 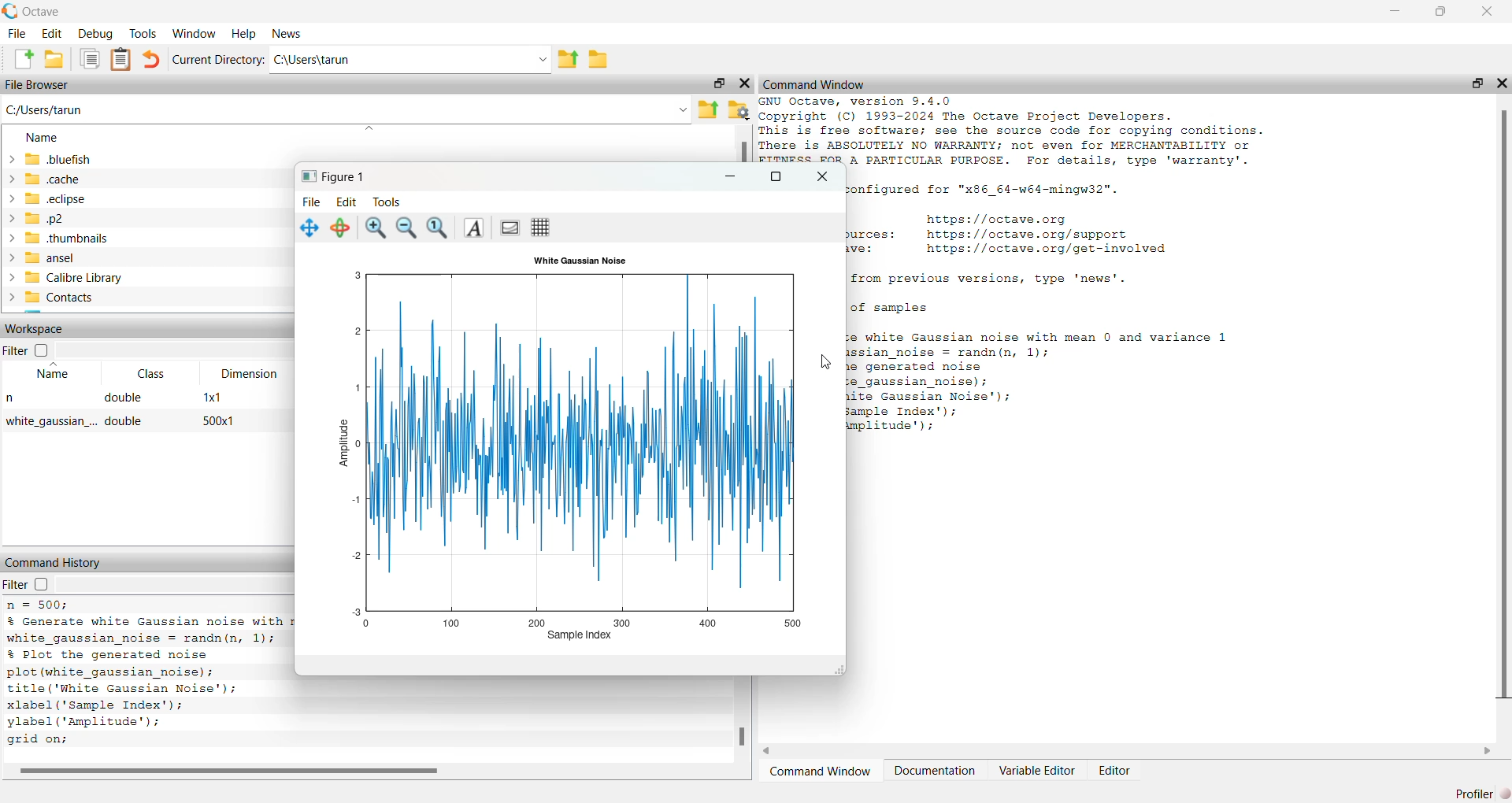 I want to click on % Generate white Gaussian noise with mean 0 and variance 1
white_gaussian_noise = randn(n, 1);

% Plot the generated noise

plot (white_gaussian_noise);

title ('White Gaussian Noise');

xlabel (Sample Index');

ylabel (‘Amplitude’);

grid on;

# Octave 9.4.0, Wed Feb 26 00:37:43 2025 GMT <unknown@Richie_rich>, so click(x=149, y=676).